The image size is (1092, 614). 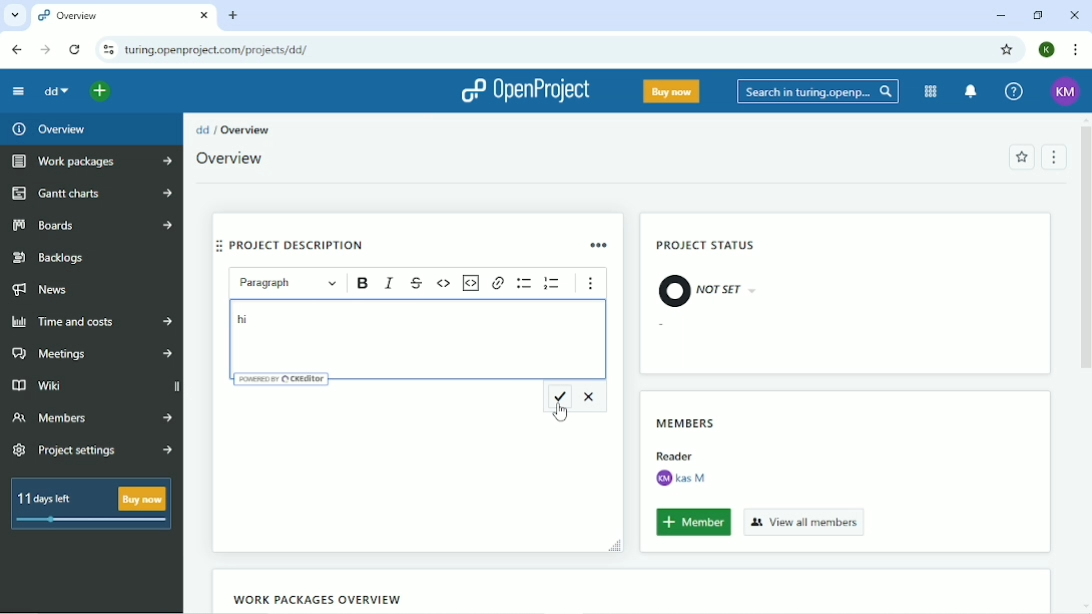 What do you see at coordinates (999, 17) in the screenshot?
I see `Minimize` at bounding box center [999, 17].